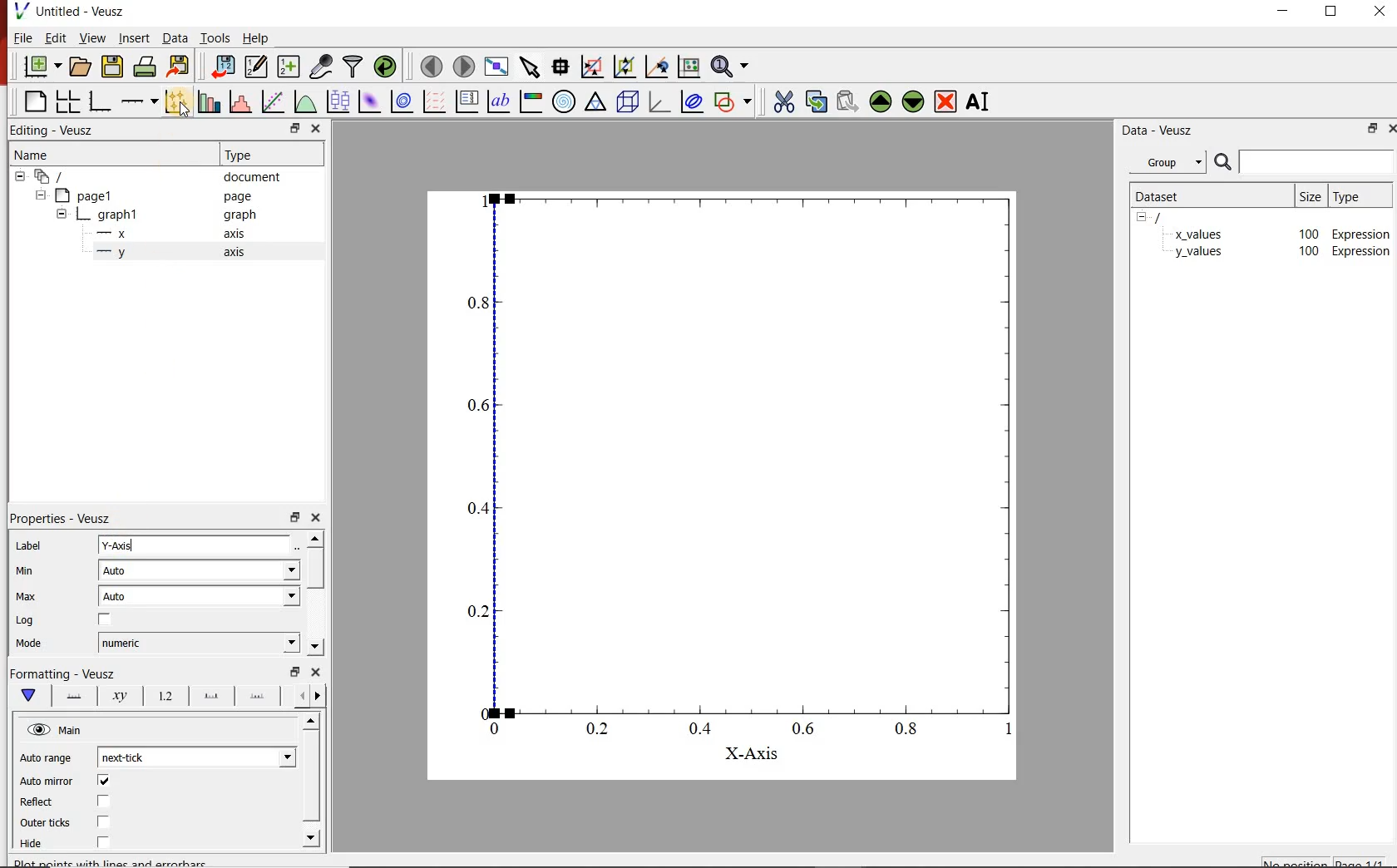 This screenshot has height=868, width=1397. I want to click on | Max, so click(27, 599).